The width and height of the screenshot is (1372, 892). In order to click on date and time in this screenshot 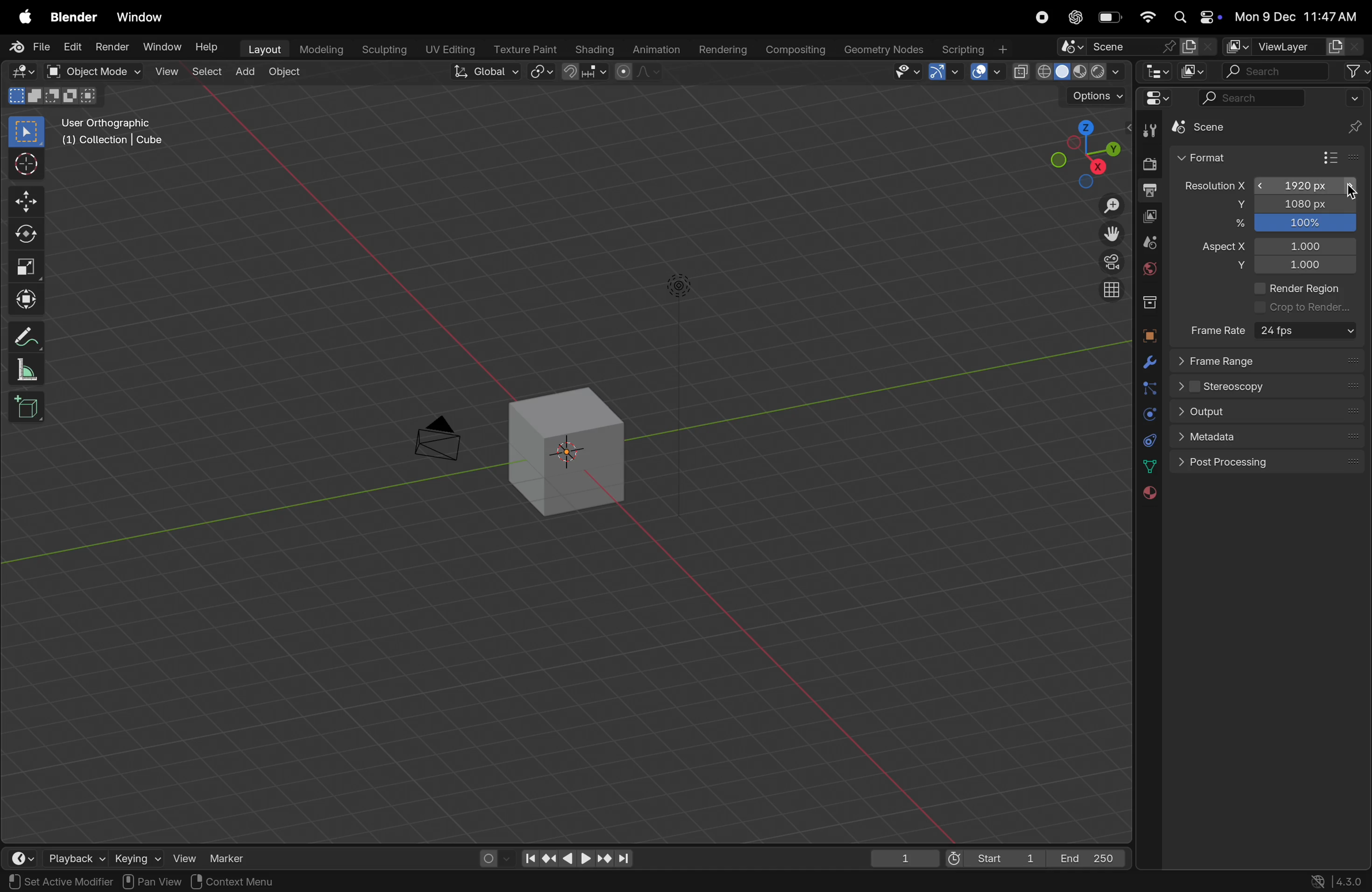, I will do `click(1297, 16)`.